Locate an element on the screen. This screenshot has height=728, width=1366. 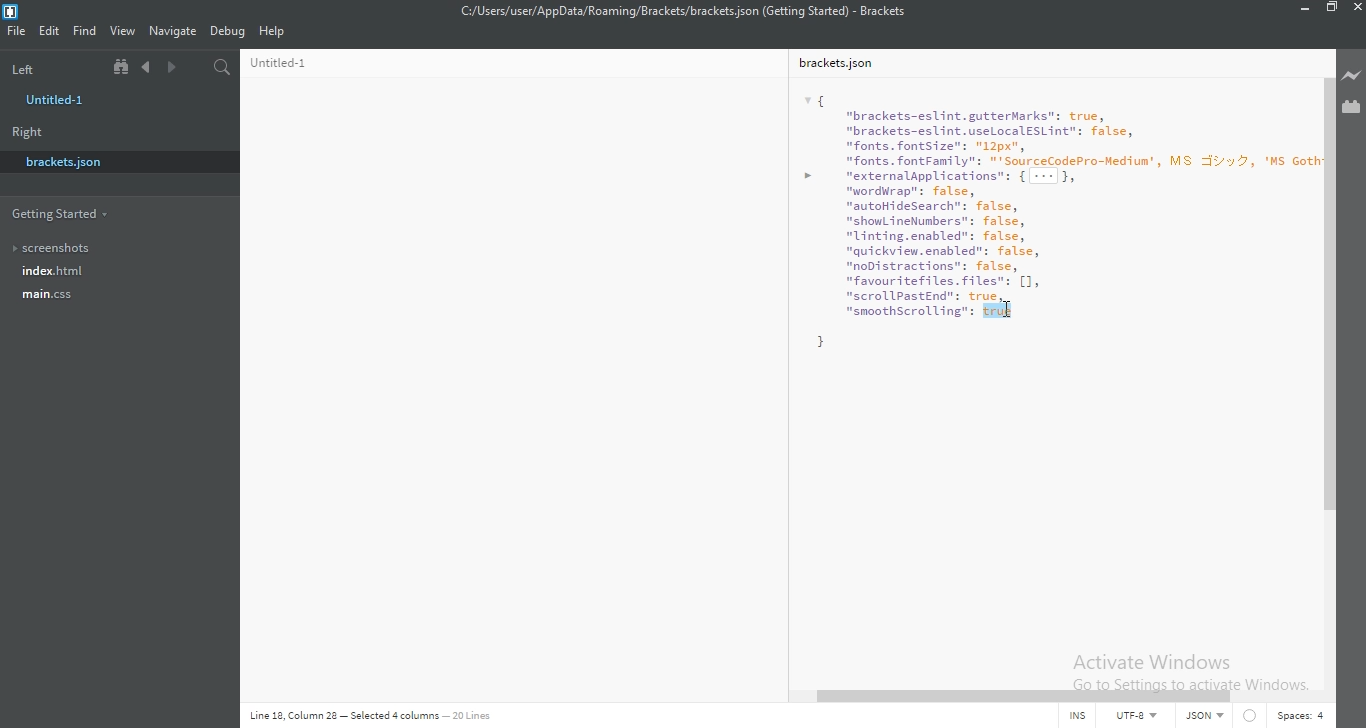
scroll bar is located at coordinates (1042, 697).